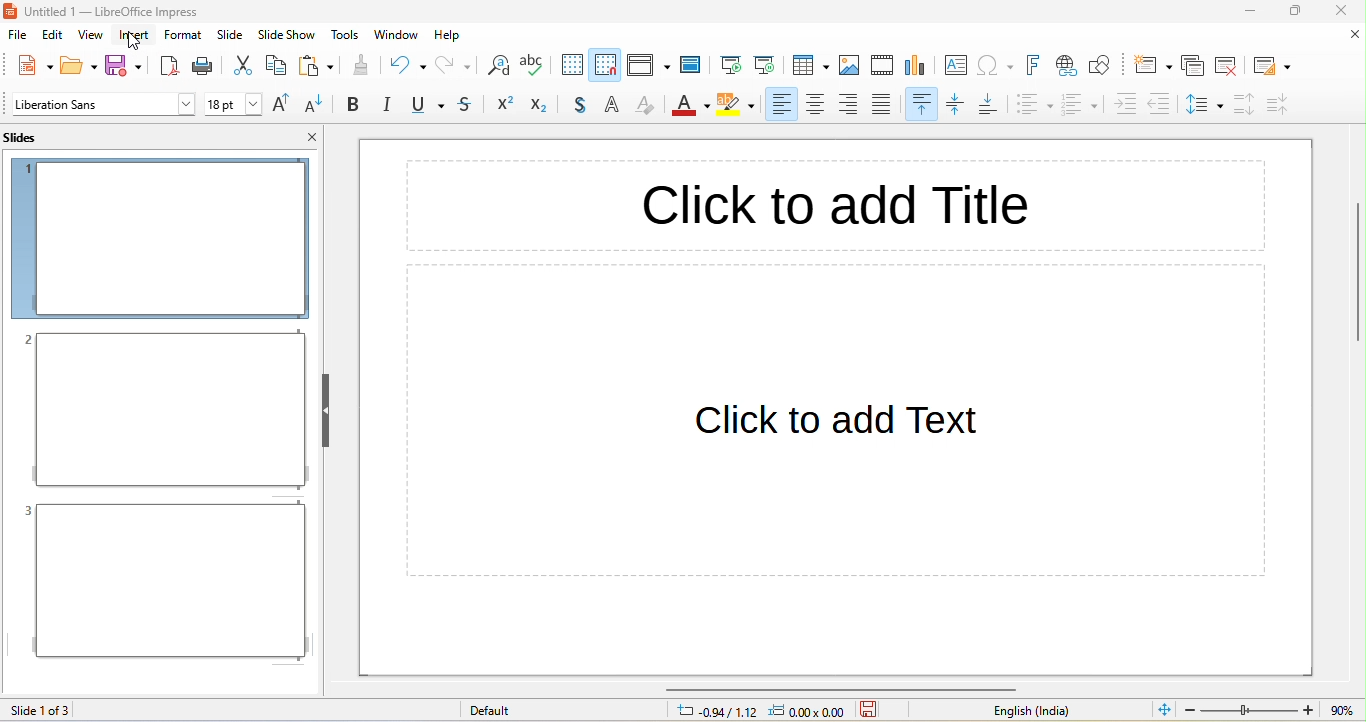  What do you see at coordinates (736, 107) in the screenshot?
I see `character highlighting` at bounding box center [736, 107].